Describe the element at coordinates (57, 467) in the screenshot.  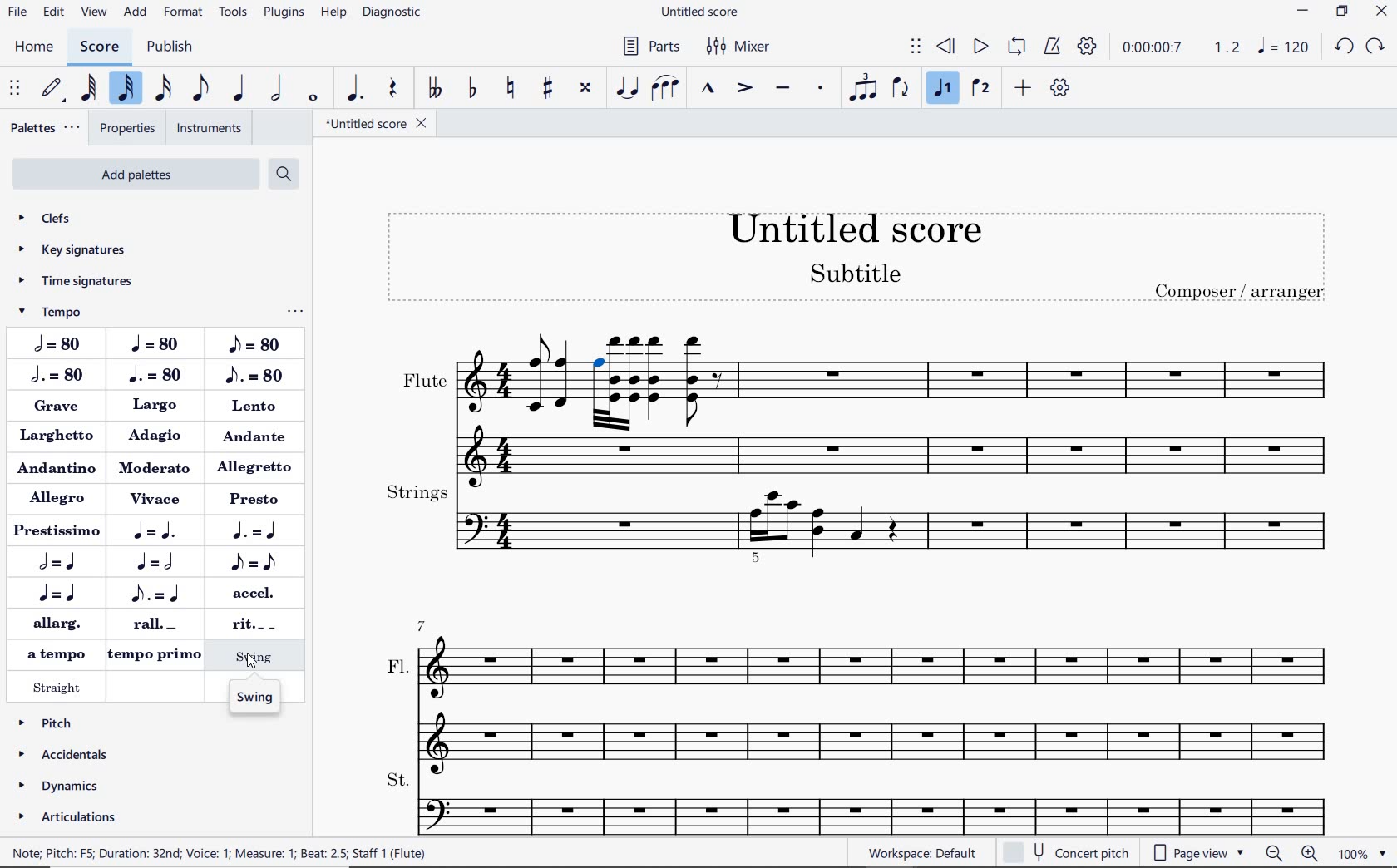
I see `ANDANTINO` at that location.